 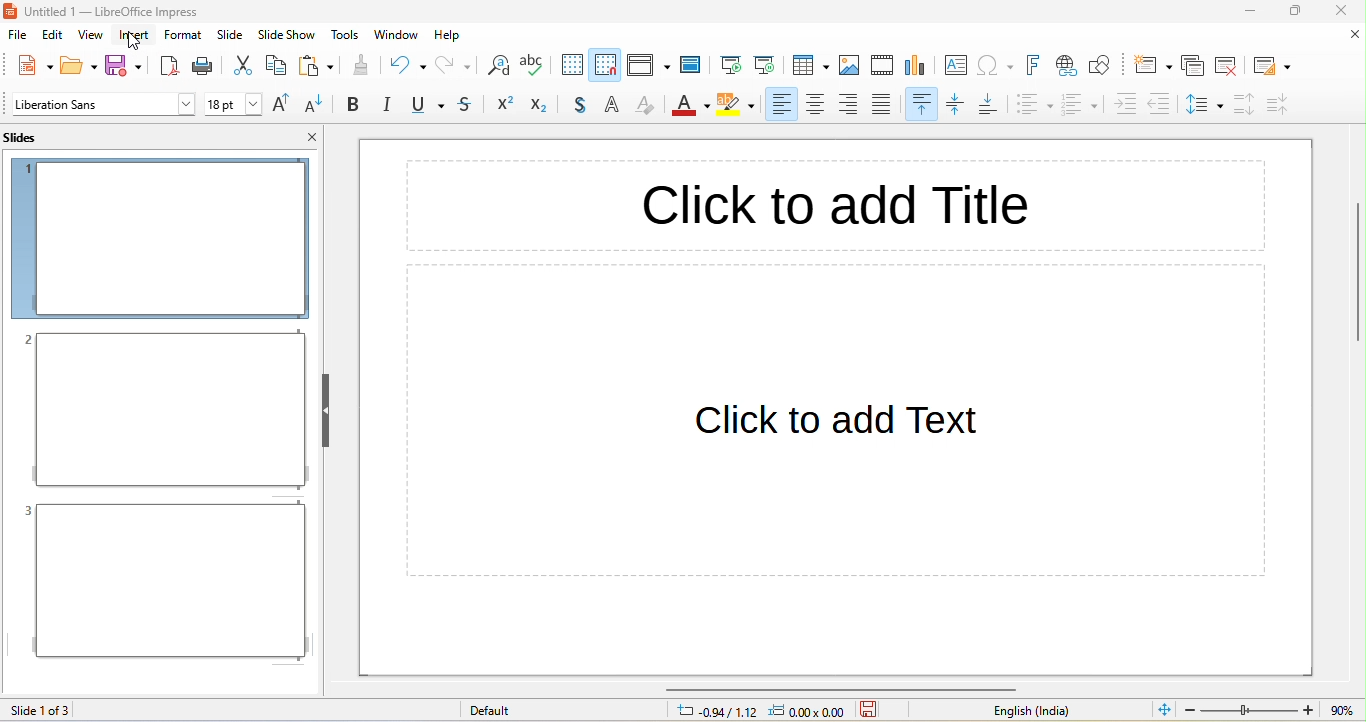 What do you see at coordinates (312, 136) in the screenshot?
I see `close` at bounding box center [312, 136].